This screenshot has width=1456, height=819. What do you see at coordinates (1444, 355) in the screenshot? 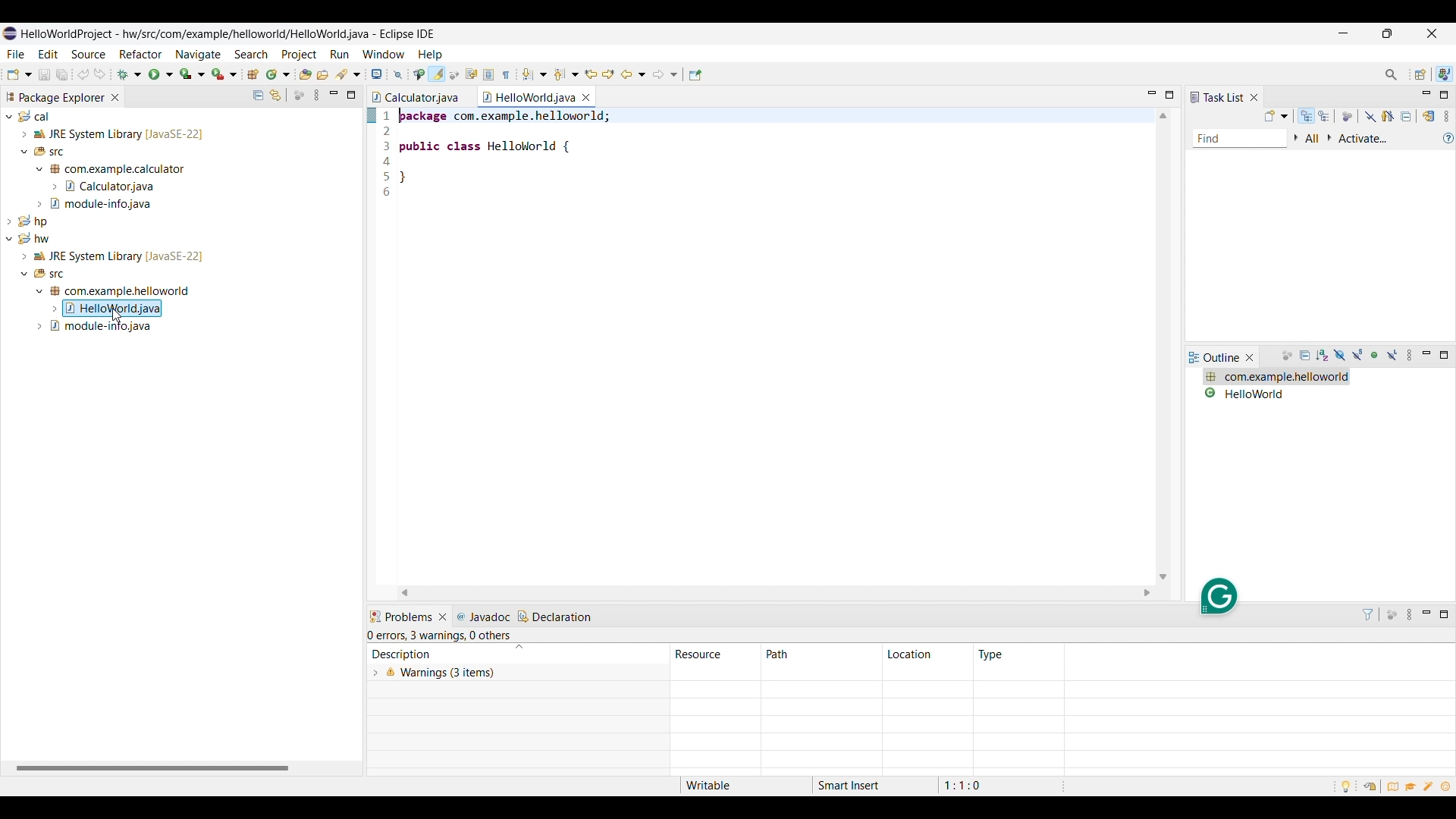
I see `Maximize` at bounding box center [1444, 355].